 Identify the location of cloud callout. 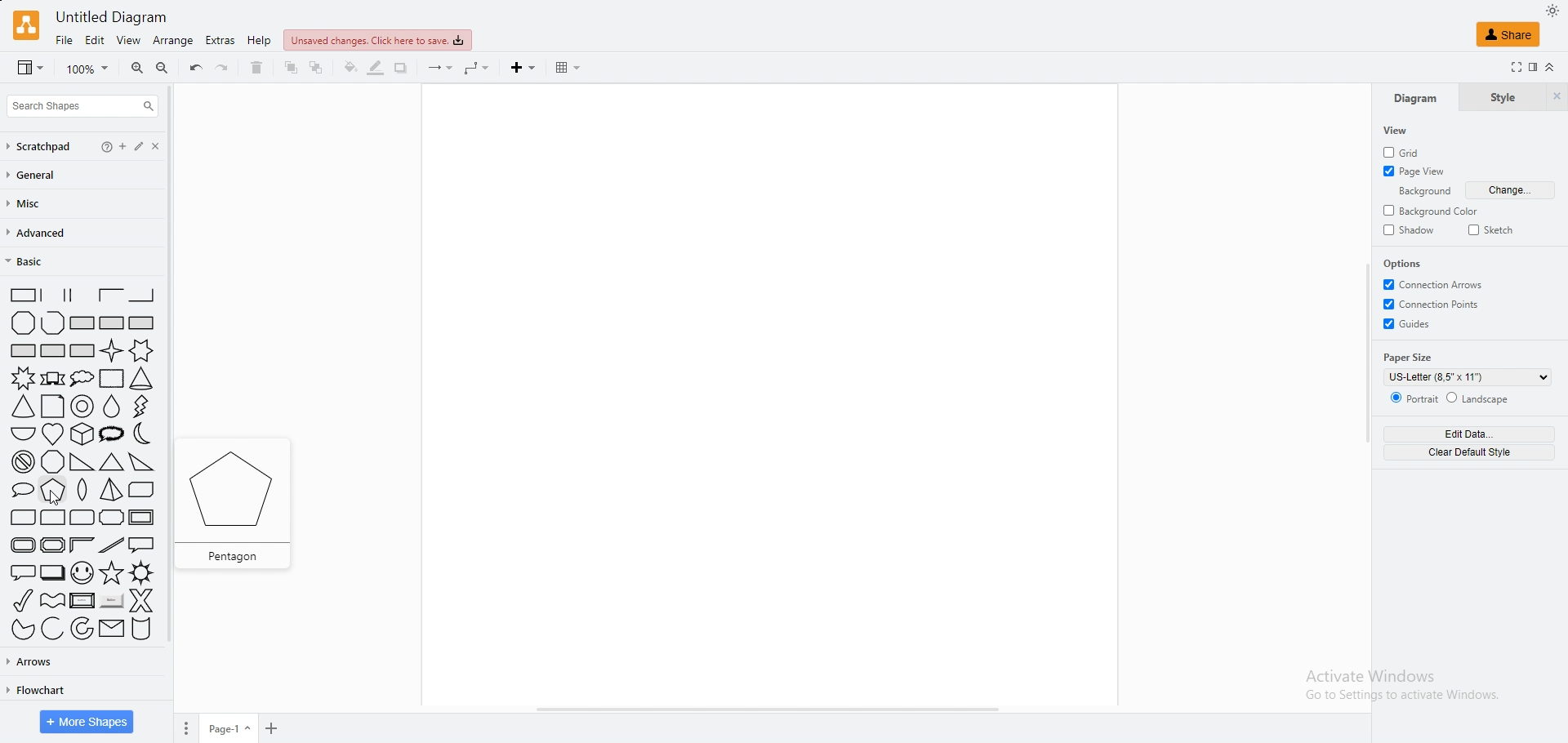
(82, 378).